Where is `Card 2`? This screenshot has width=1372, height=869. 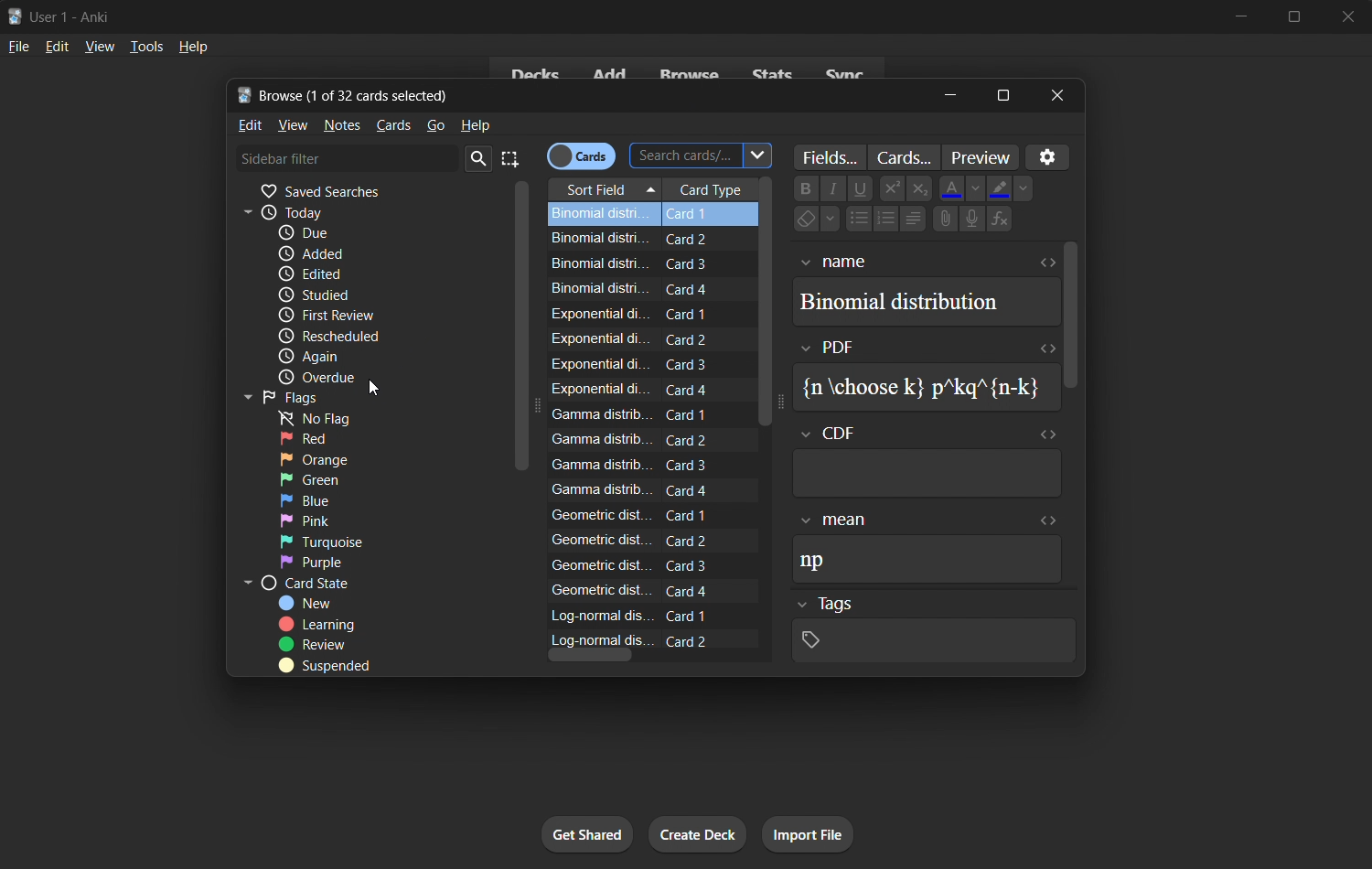
Card 2 is located at coordinates (705, 240).